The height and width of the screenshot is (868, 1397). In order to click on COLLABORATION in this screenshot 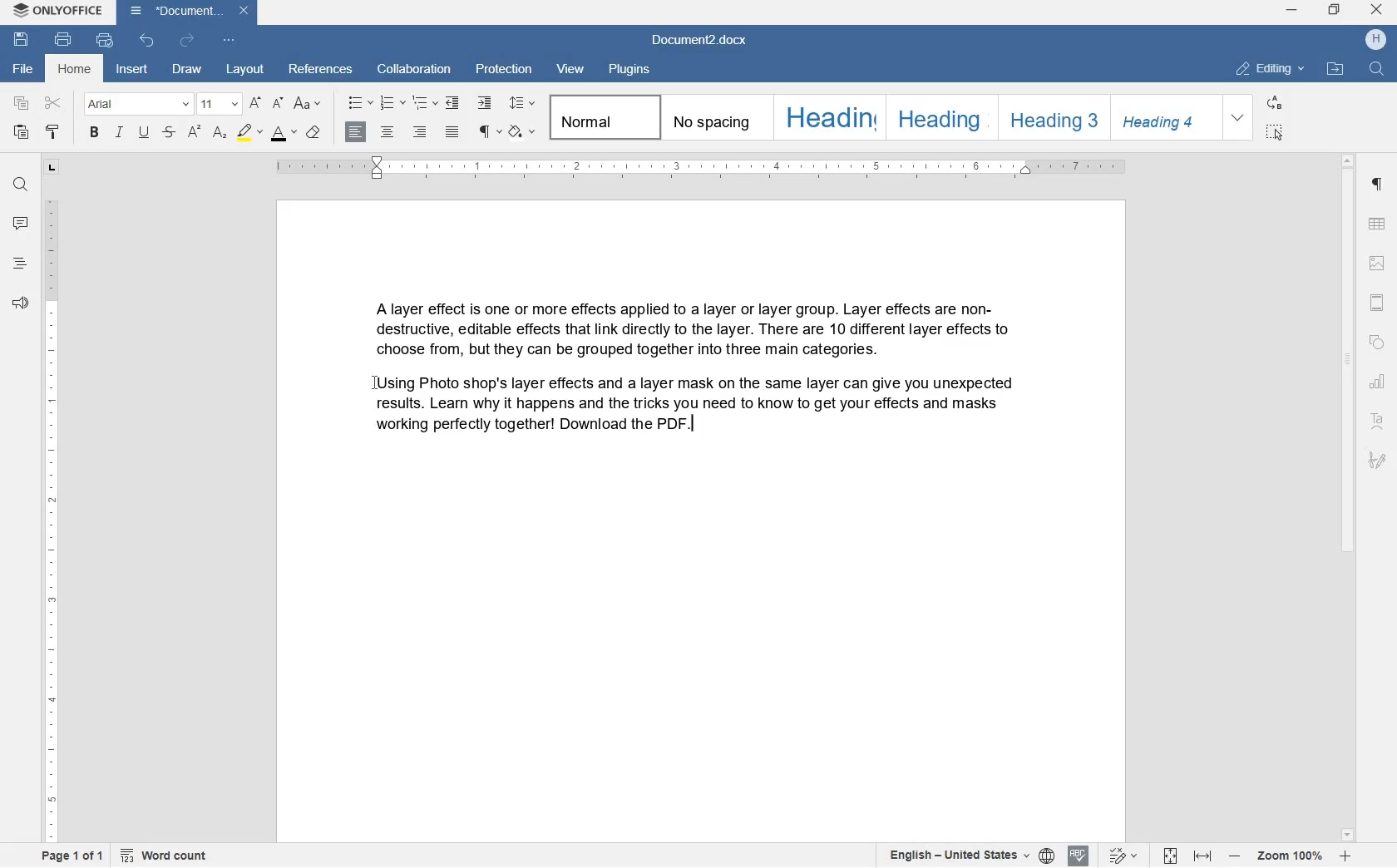, I will do `click(415, 69)`.